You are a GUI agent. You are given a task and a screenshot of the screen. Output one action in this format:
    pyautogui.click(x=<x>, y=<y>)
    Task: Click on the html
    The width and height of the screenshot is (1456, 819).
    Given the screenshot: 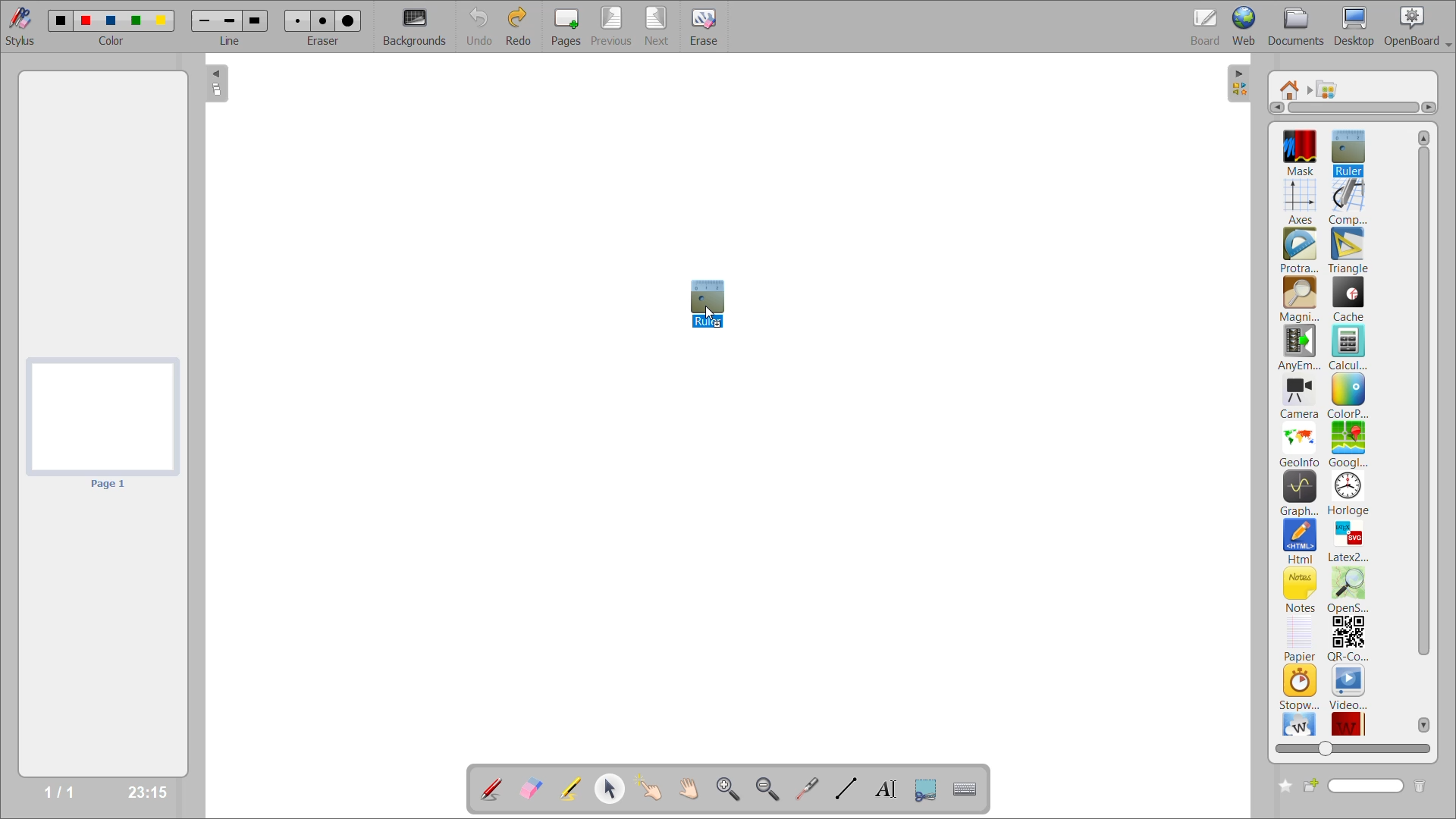 What is the action you would take?
    pyautogui.click(x=1301, y=542)
    